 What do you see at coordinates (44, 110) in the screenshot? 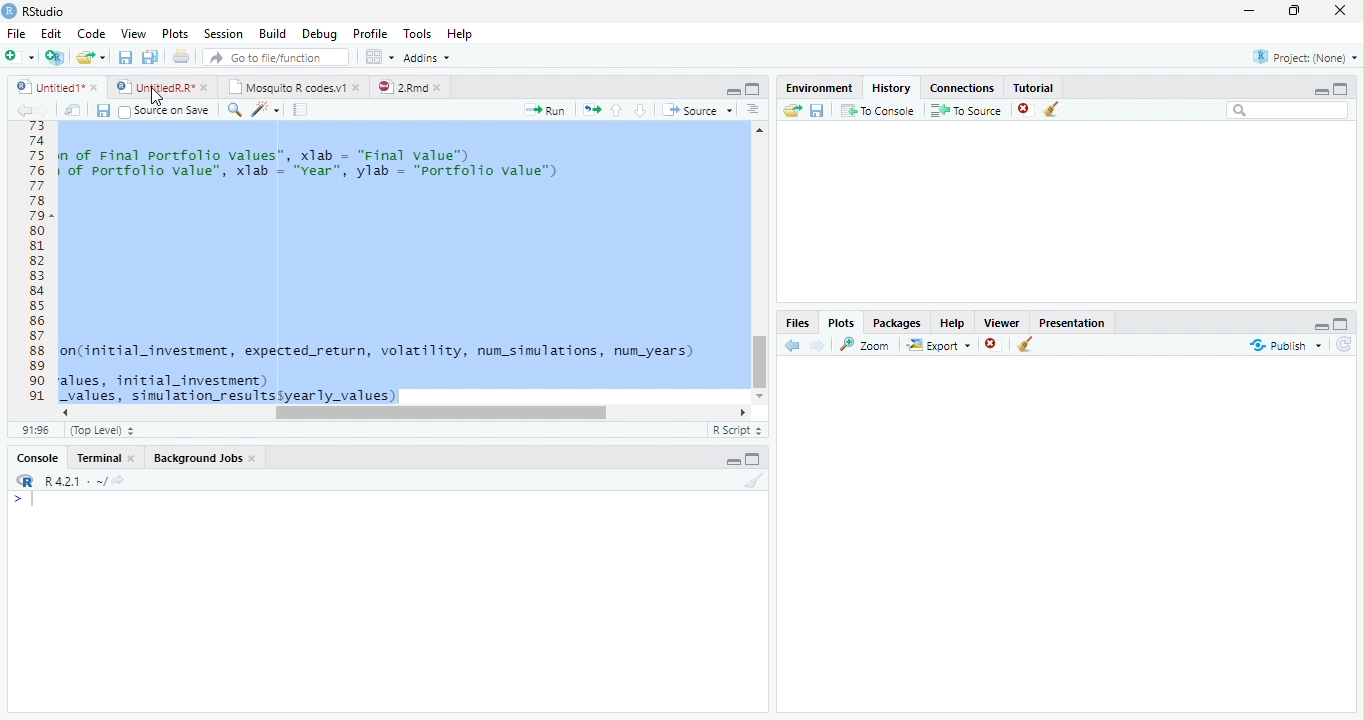
I see `next source location` at bounding box center [44, 110].